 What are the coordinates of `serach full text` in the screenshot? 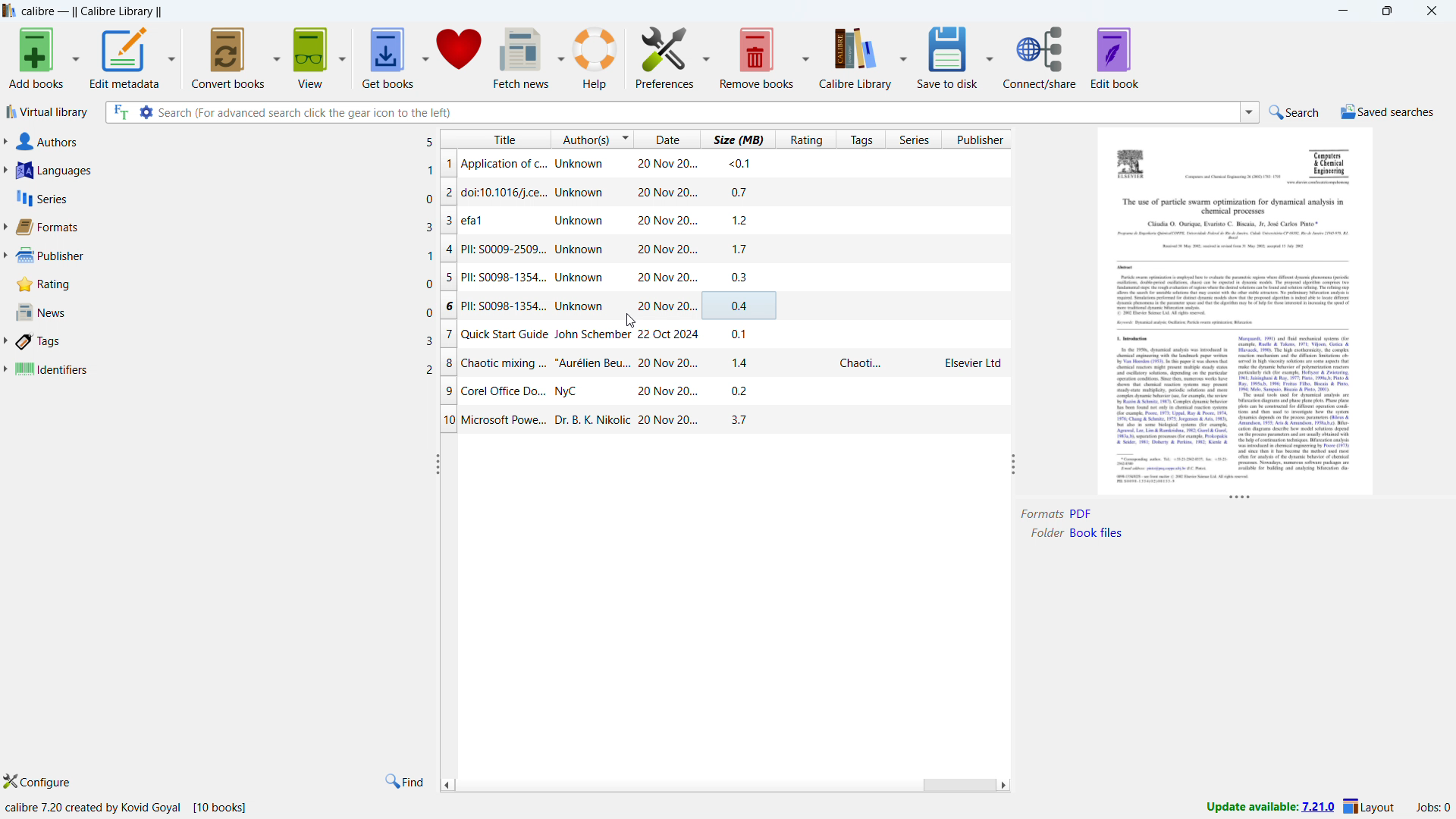 It's located at (118, 113).